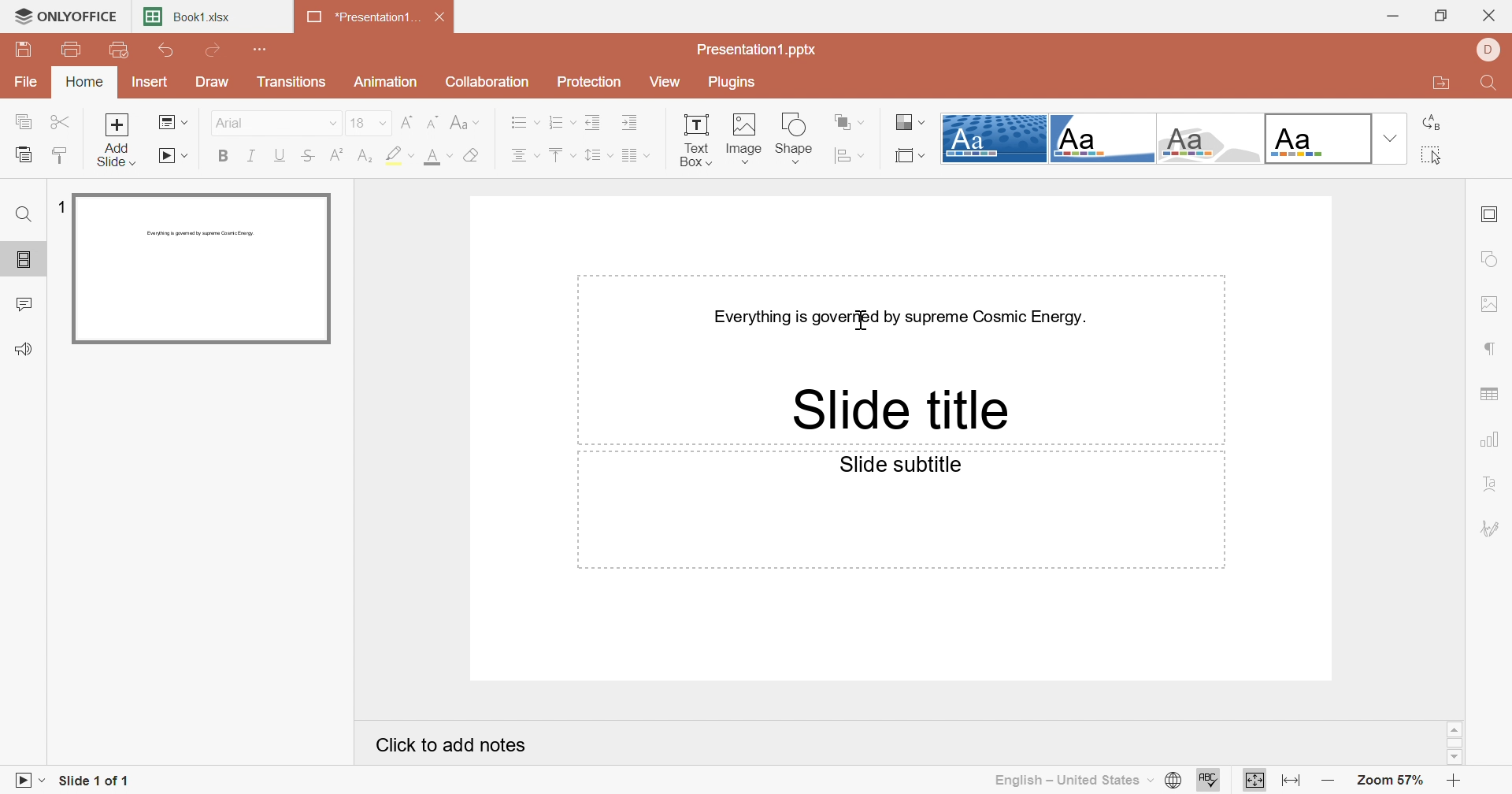 Image resolution: width=1512 pixels, height=794 pixels. Describe the element at coordinates (896, 318) in the screenshot. I see `Everything is governed by supreme Cosmic Energy` at that location.